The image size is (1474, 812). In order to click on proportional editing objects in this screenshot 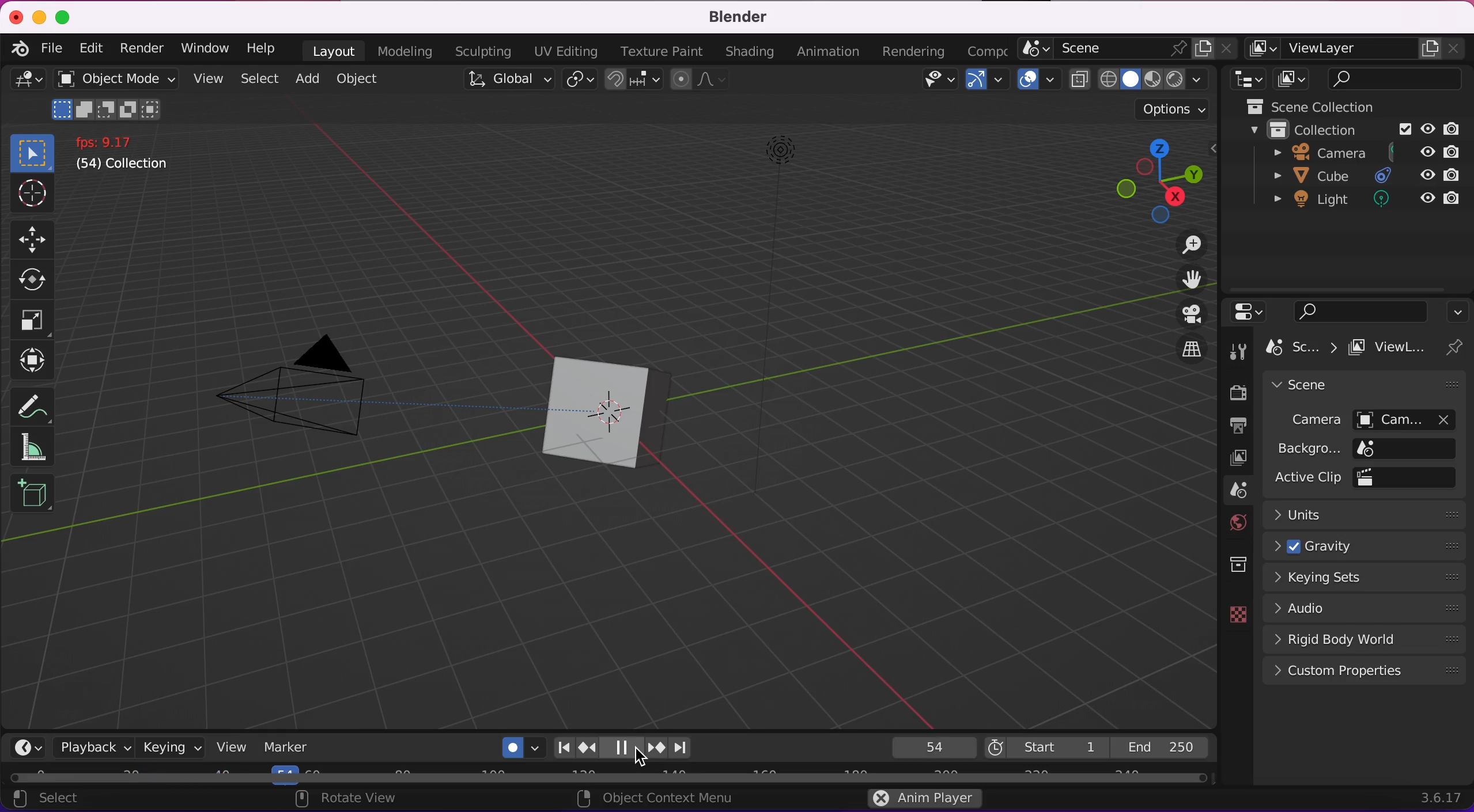, I will do `click(699, 82)`.